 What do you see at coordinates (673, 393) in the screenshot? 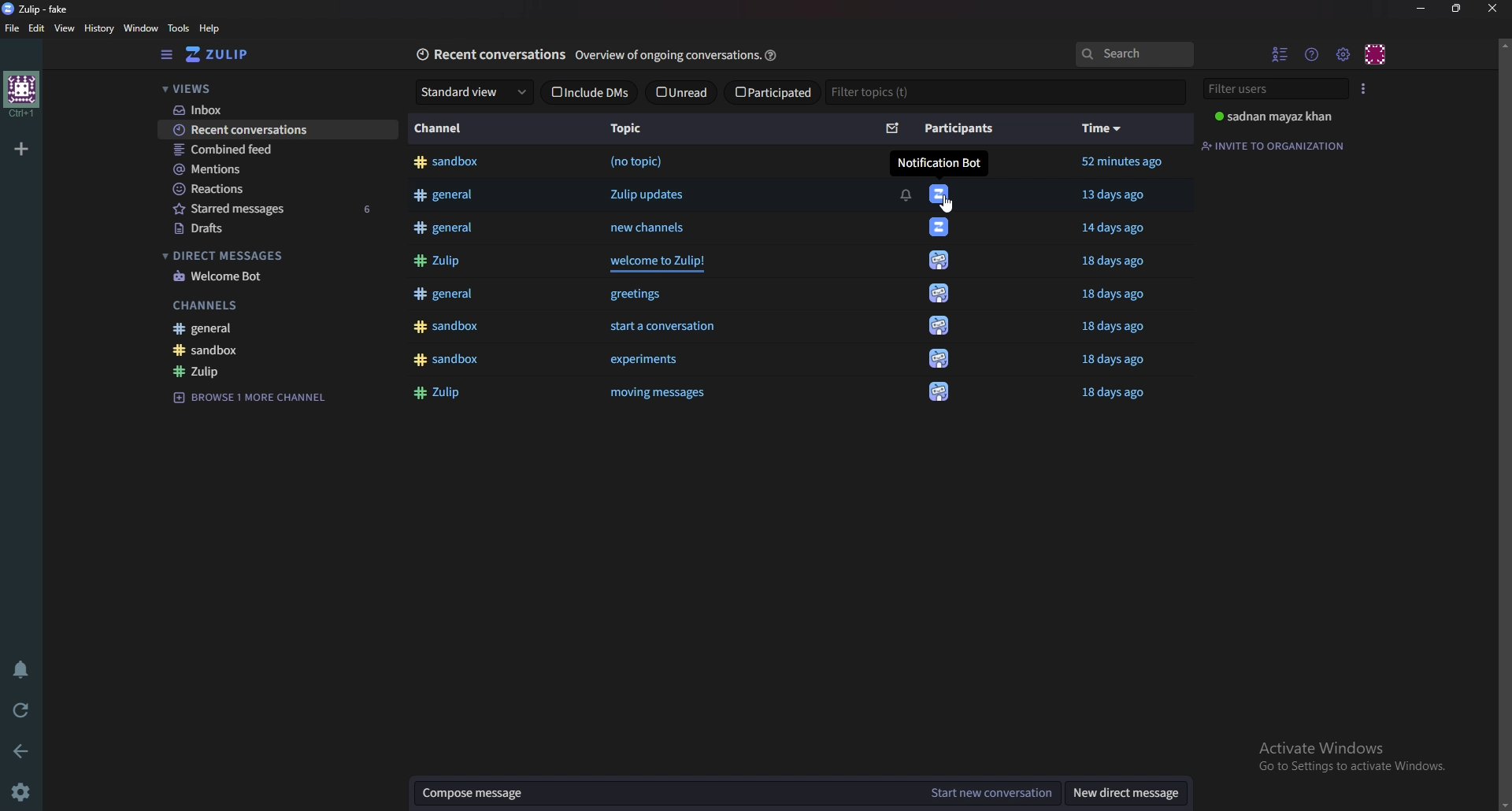
I see `moving messages` at bounding box center [673, 393].